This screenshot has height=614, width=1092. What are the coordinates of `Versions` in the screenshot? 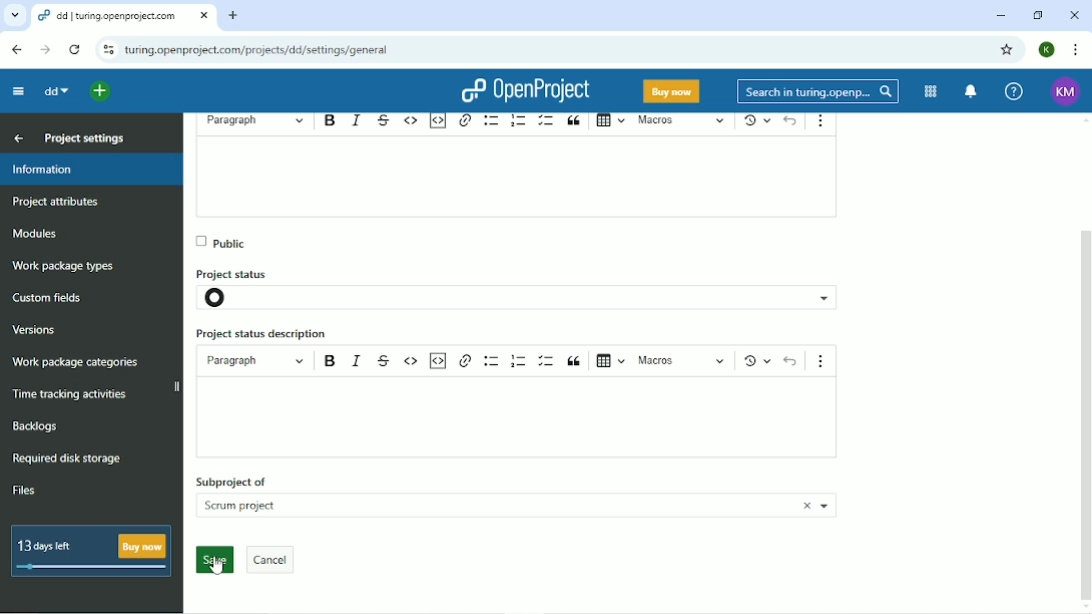 It's located at (34, 331).